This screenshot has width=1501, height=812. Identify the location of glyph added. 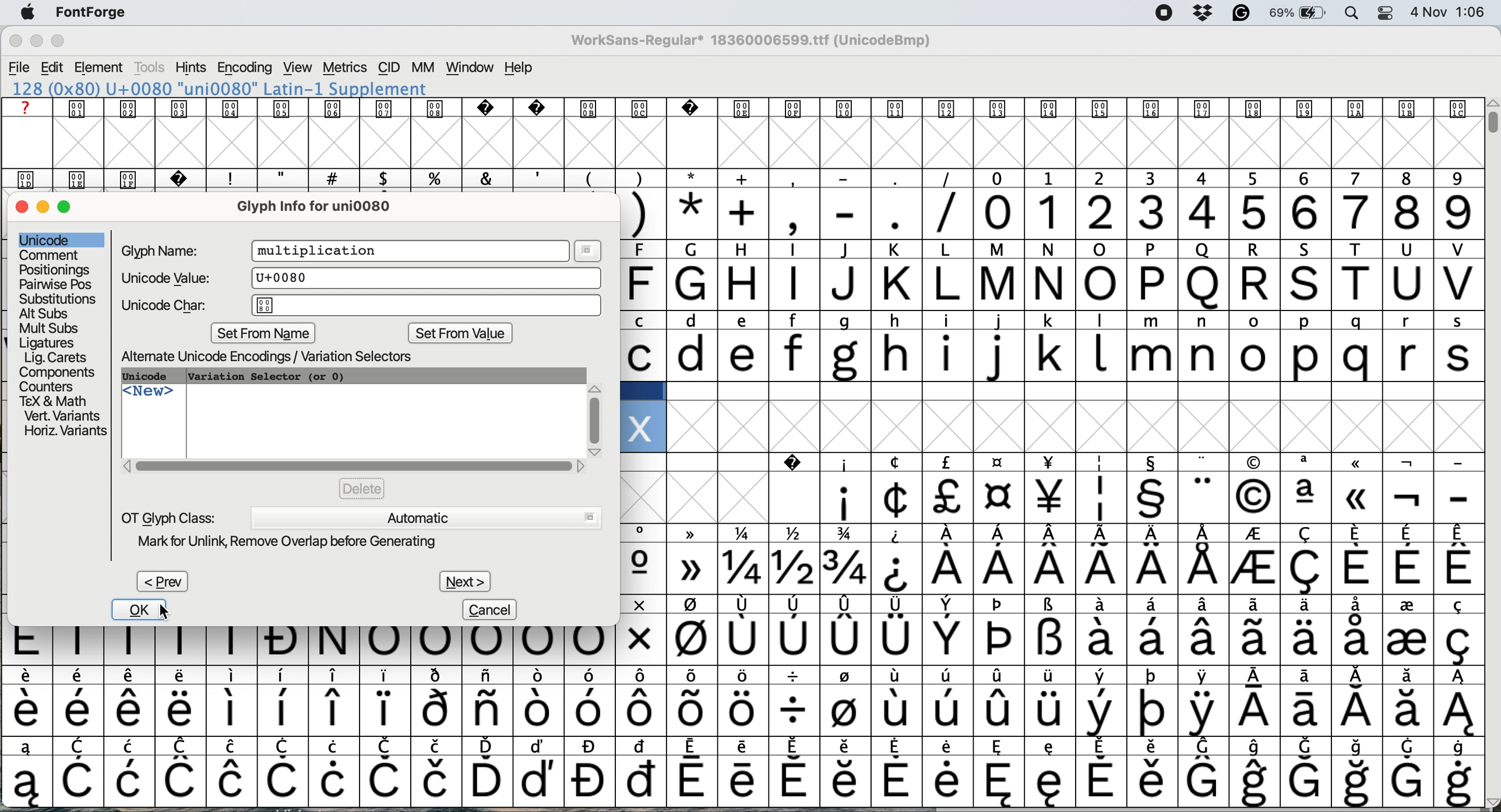
(640, 426).